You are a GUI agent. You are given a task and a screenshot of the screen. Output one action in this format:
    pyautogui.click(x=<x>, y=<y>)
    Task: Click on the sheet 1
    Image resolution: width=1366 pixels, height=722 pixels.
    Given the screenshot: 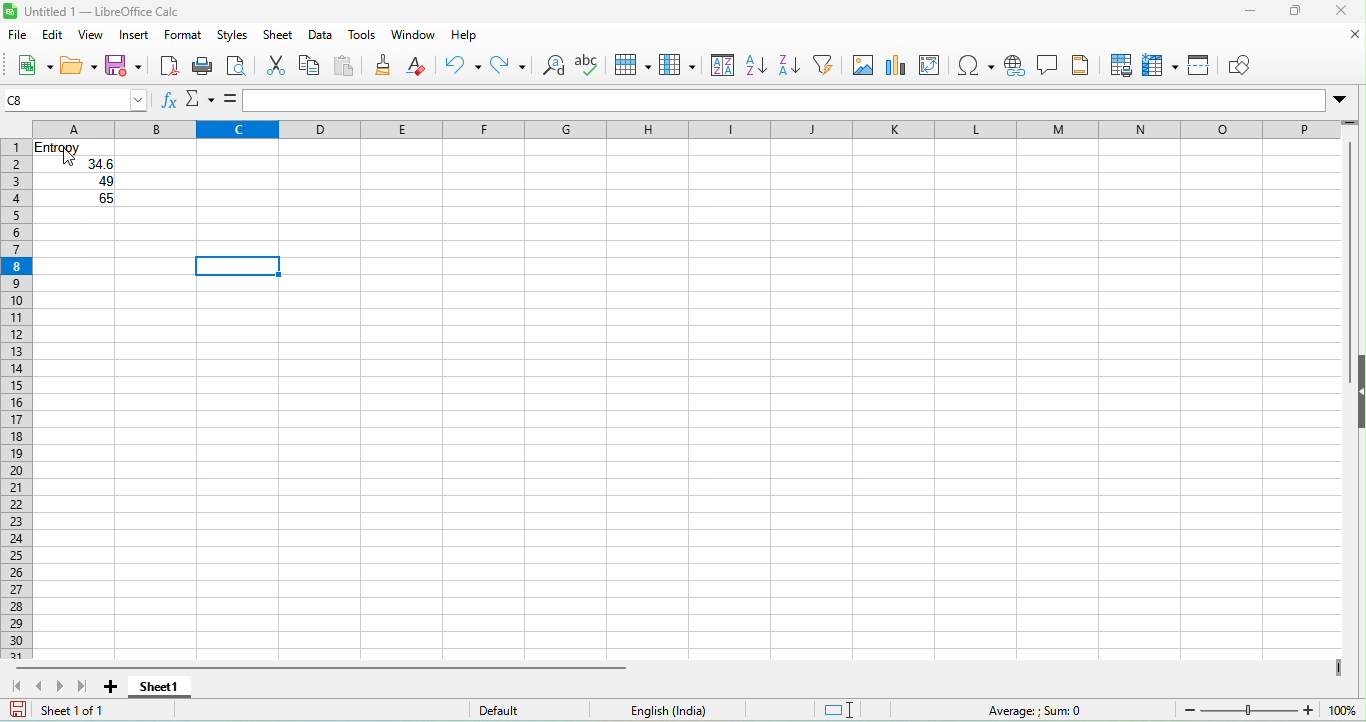 What is the action you would take?
    pyautogui.click(x=159, y=687)
    